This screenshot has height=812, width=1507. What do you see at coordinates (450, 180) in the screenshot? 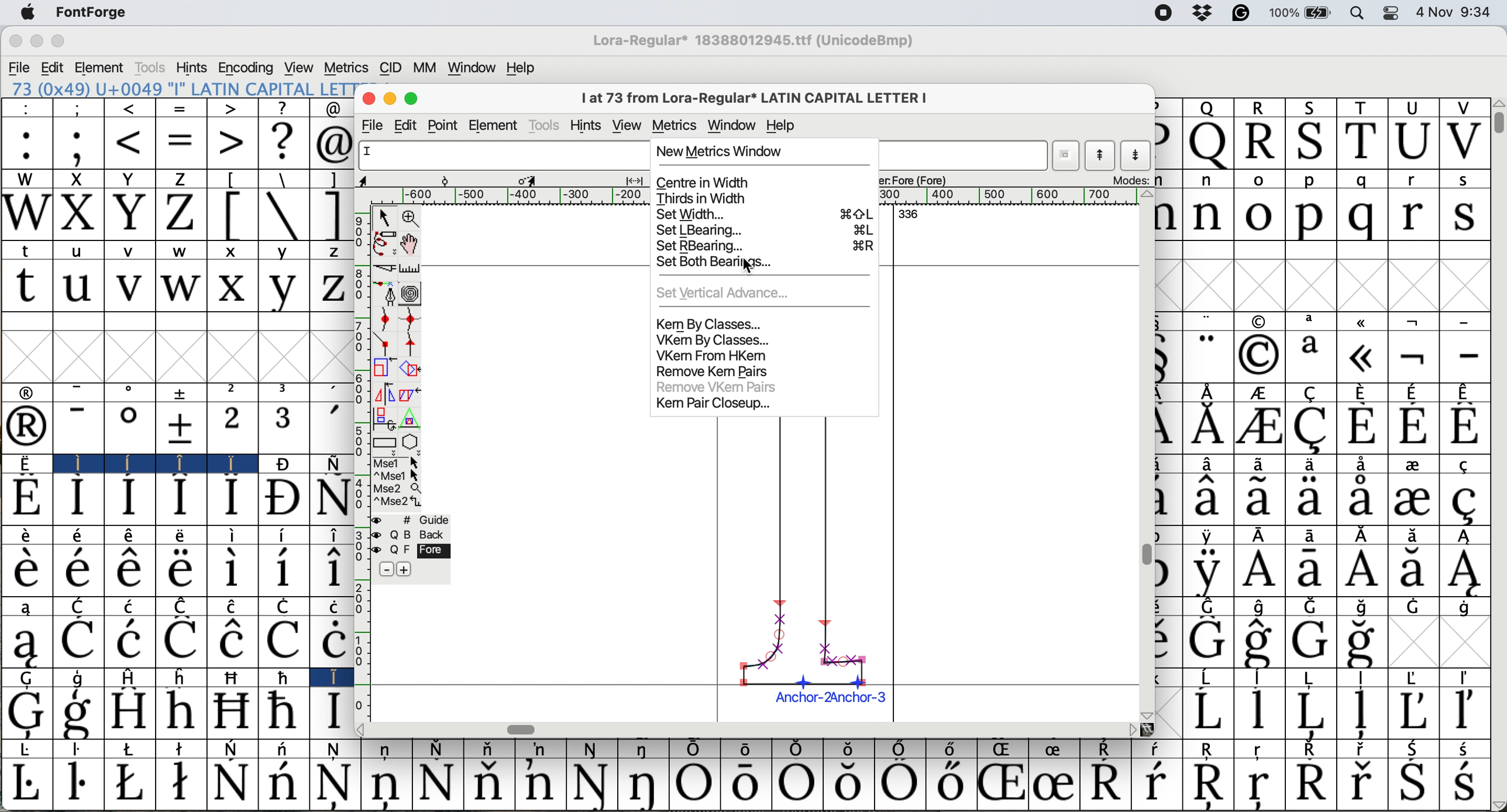
I see `` at bounding box center [450, 180].